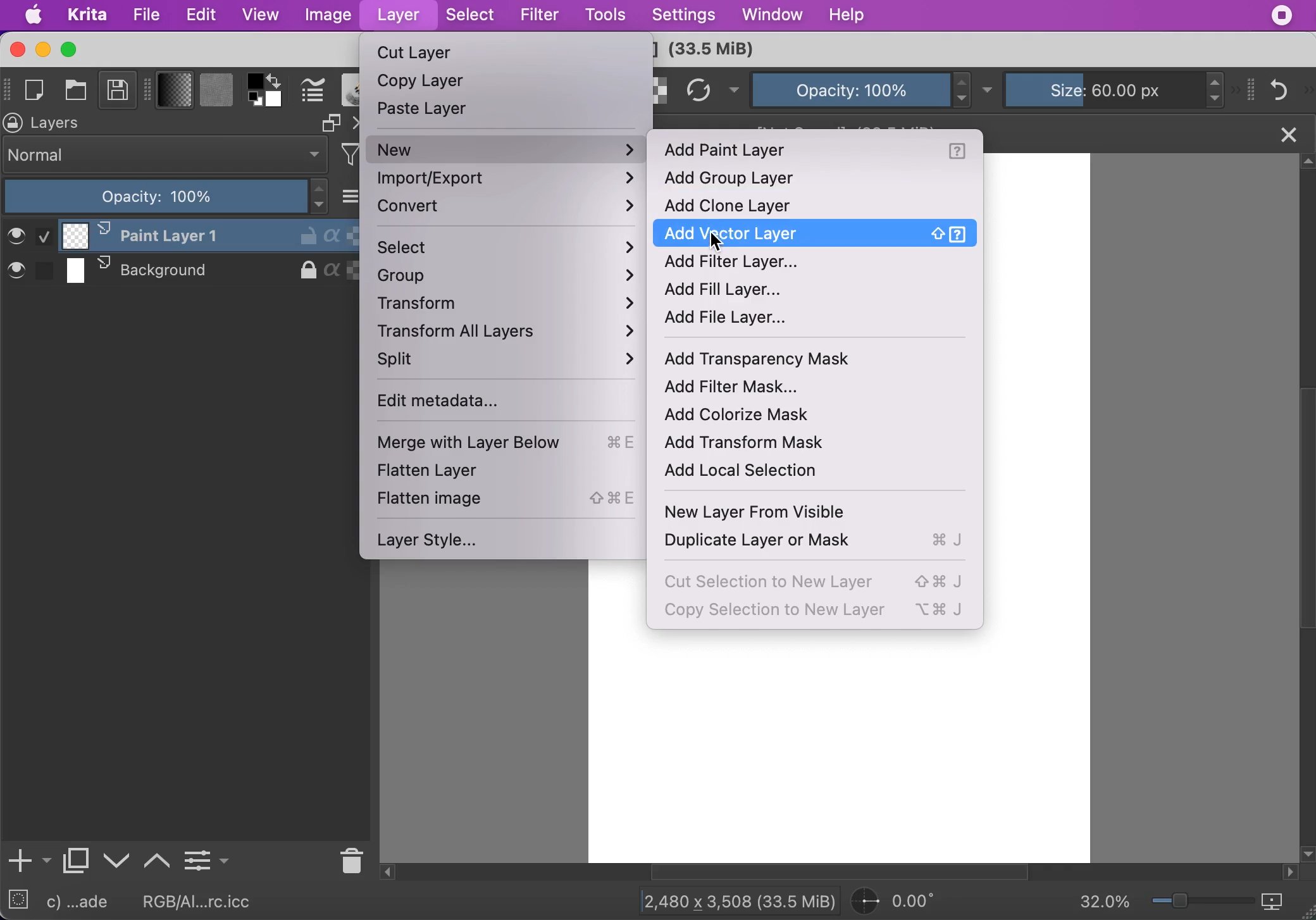 This screenshot has height=920, width=1316. What do you see at coordinates (71, 49) in the screenshot?
I see `maximize` at bounding box center [71, 49].